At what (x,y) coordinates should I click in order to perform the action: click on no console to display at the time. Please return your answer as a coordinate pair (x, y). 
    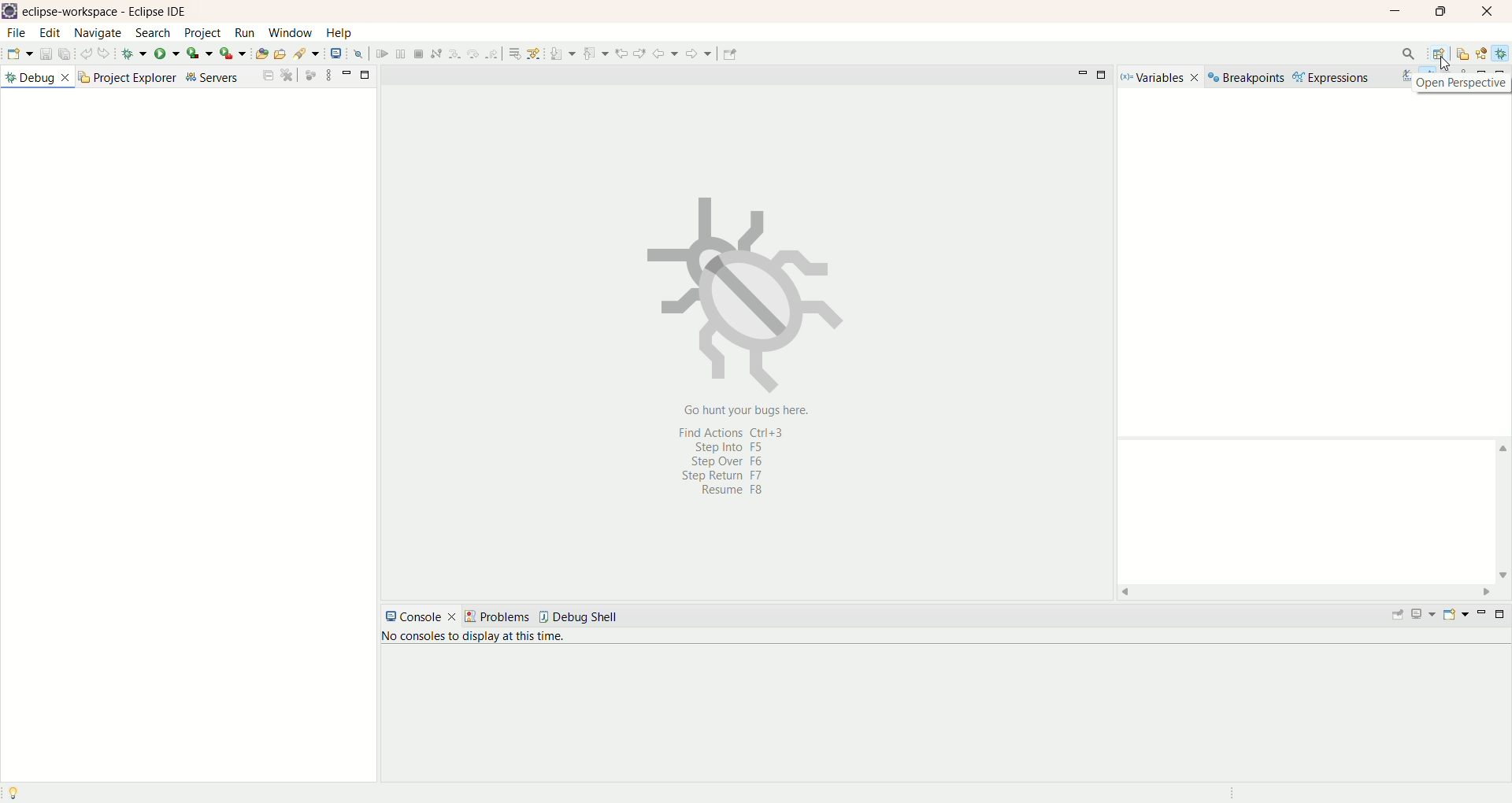
    Looking at the image, I should click on (470, 638).